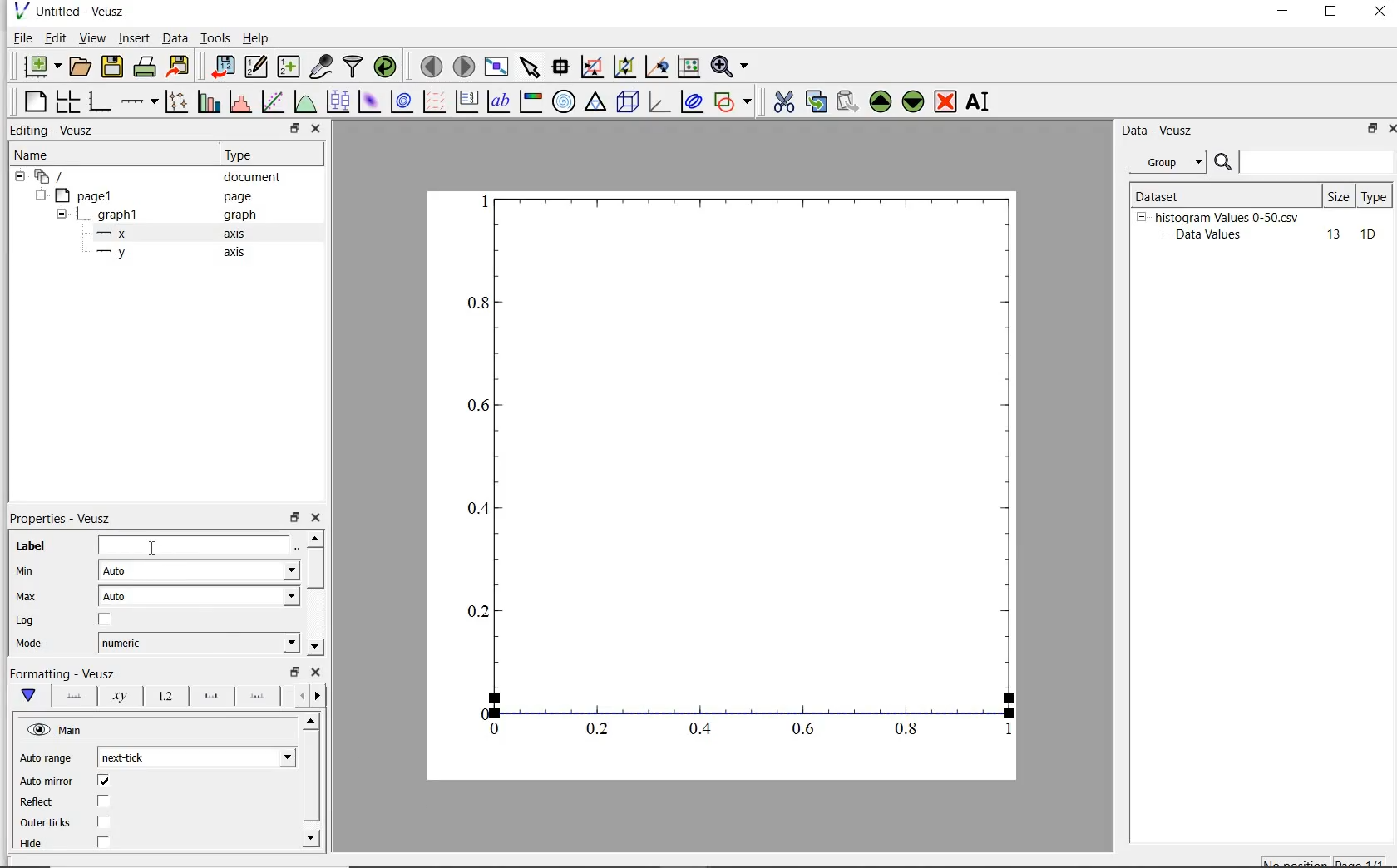 This screenshot has height=868, width=1397. I want to click on click to recenter graph axes, so click(688, 67).